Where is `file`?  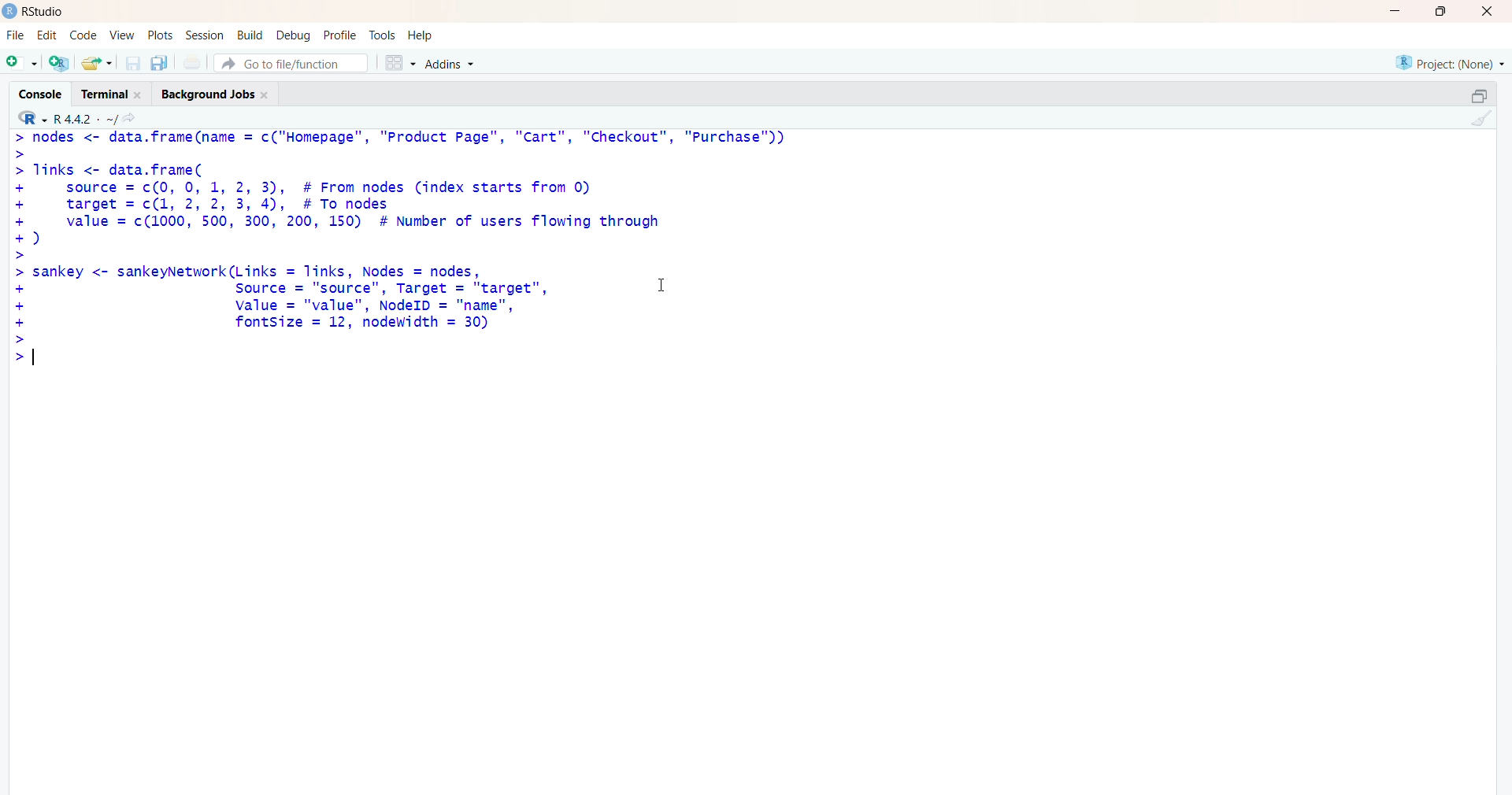
file is located at coordinates (15, 32).